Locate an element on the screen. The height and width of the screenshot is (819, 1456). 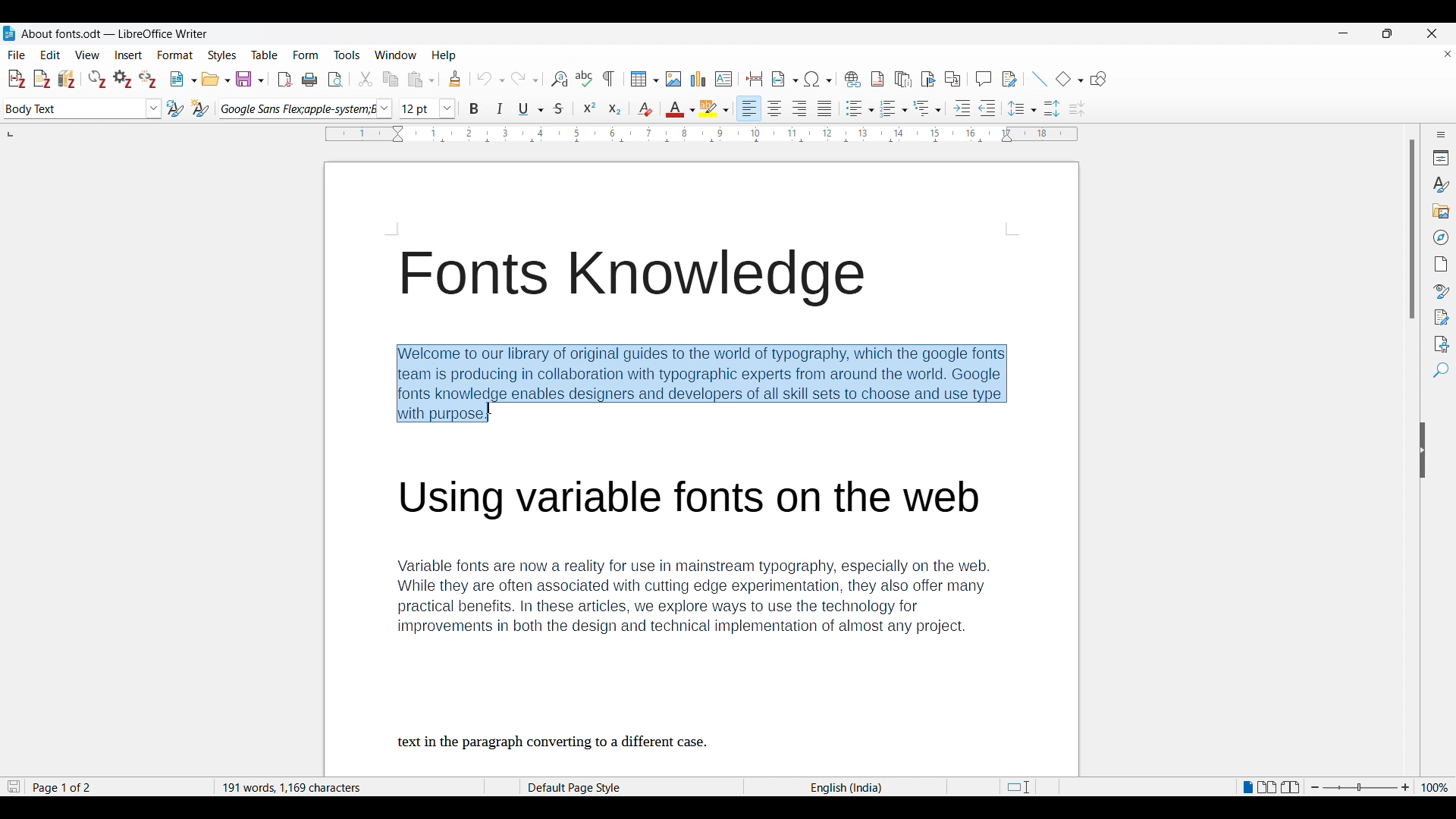
Insert line is located at coordinates (1040, 79).